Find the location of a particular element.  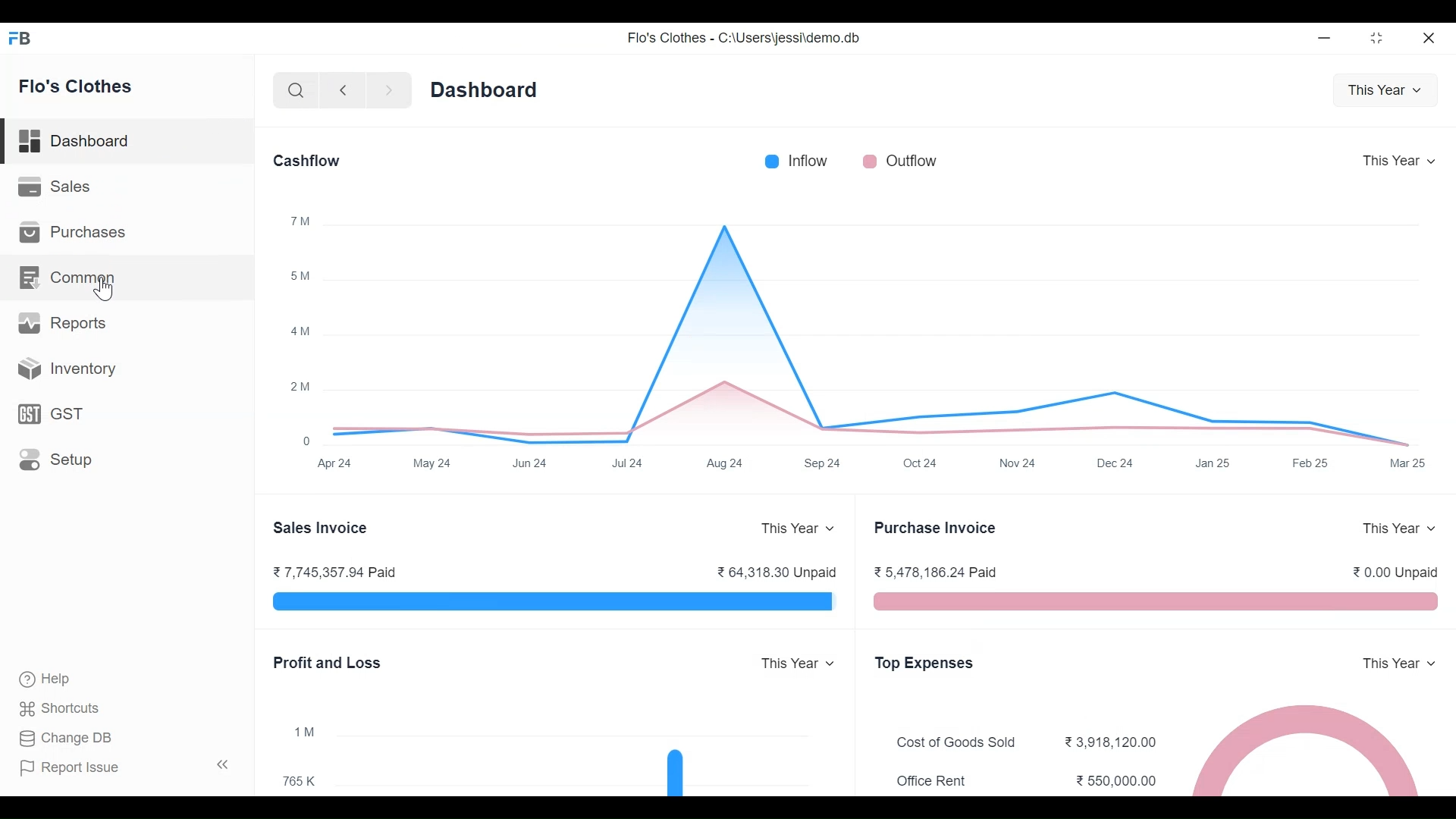

7,745,357.94 Paid is located at coordinates (333, 572).